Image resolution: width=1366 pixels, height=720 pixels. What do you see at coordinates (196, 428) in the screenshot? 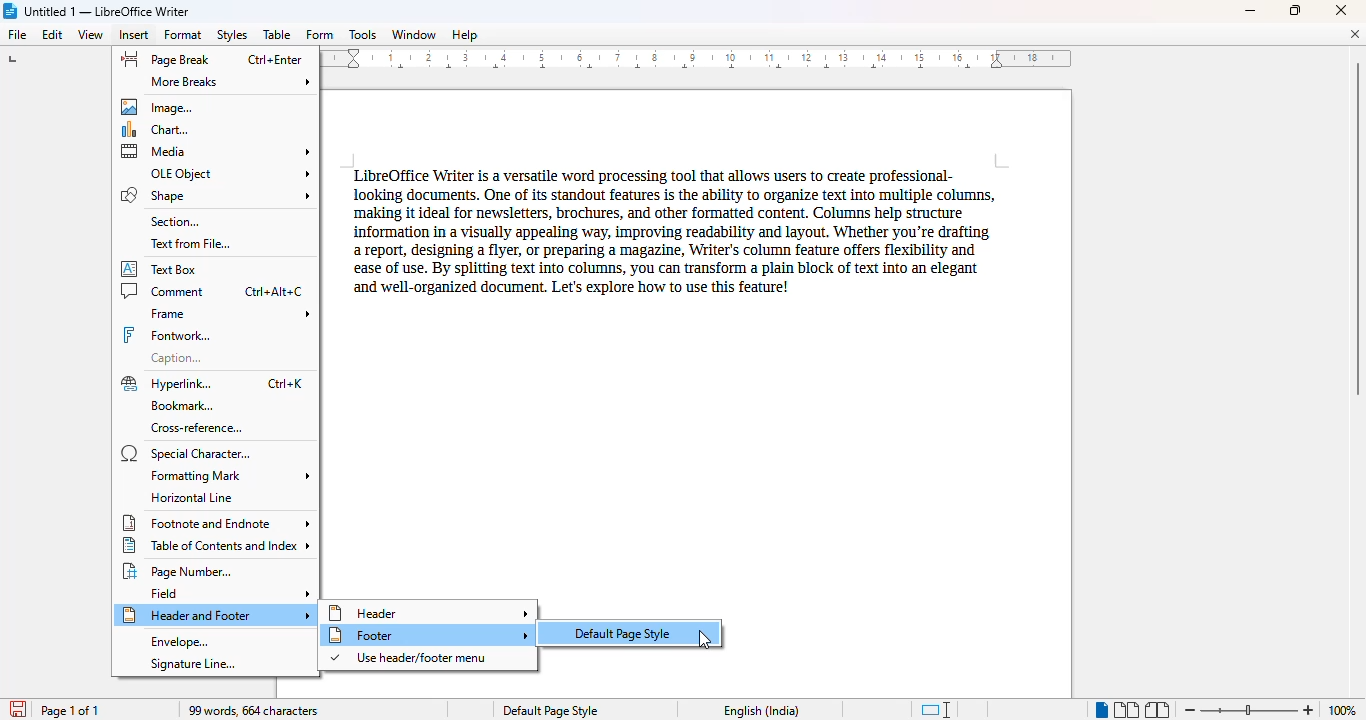
I see `cross-reference` at bounding box center [196, 428].